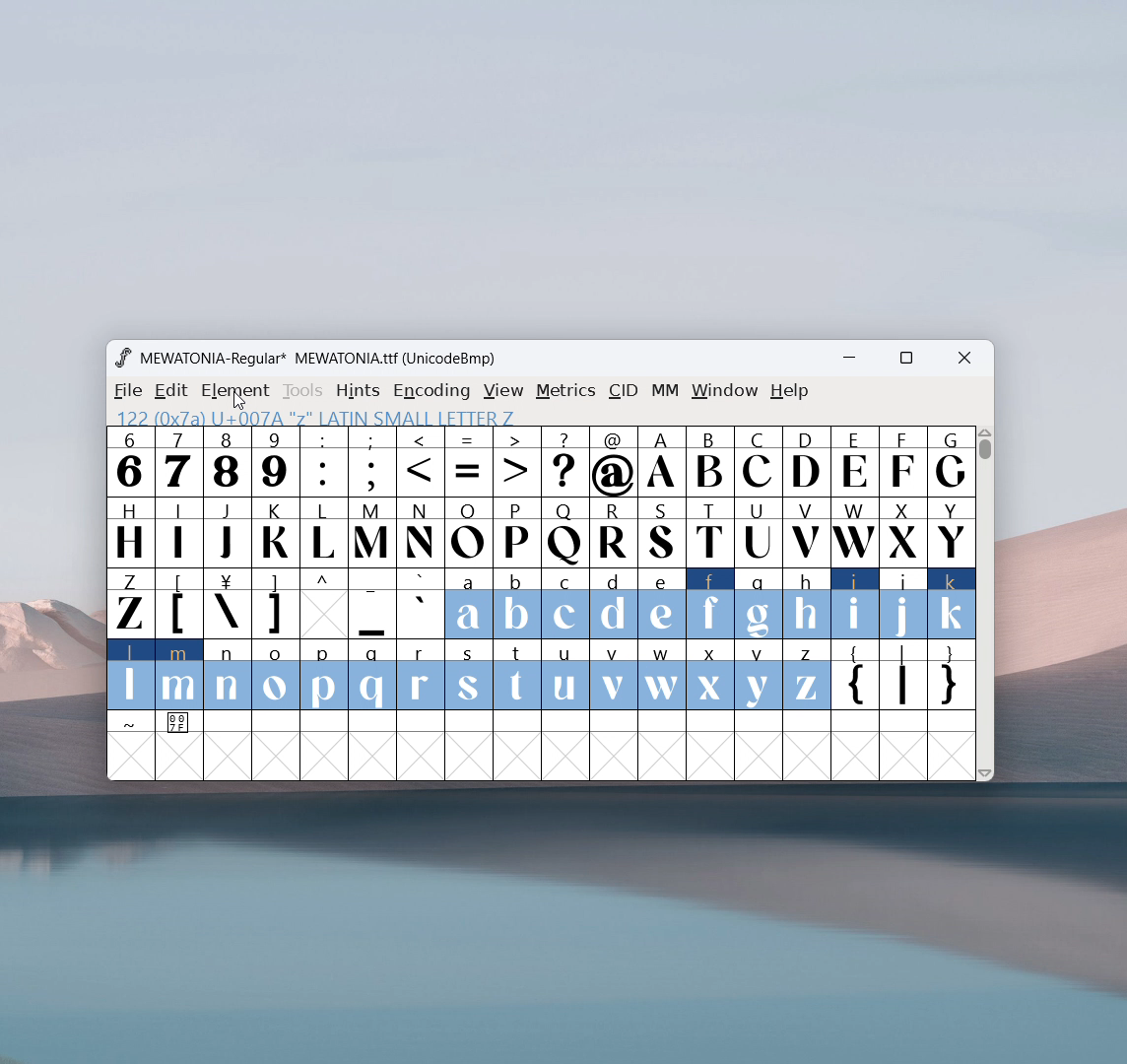 The image size is (1127, 1064). Describe the element at coordinates (757, 461) in the screenshot. I see `C` at that location.